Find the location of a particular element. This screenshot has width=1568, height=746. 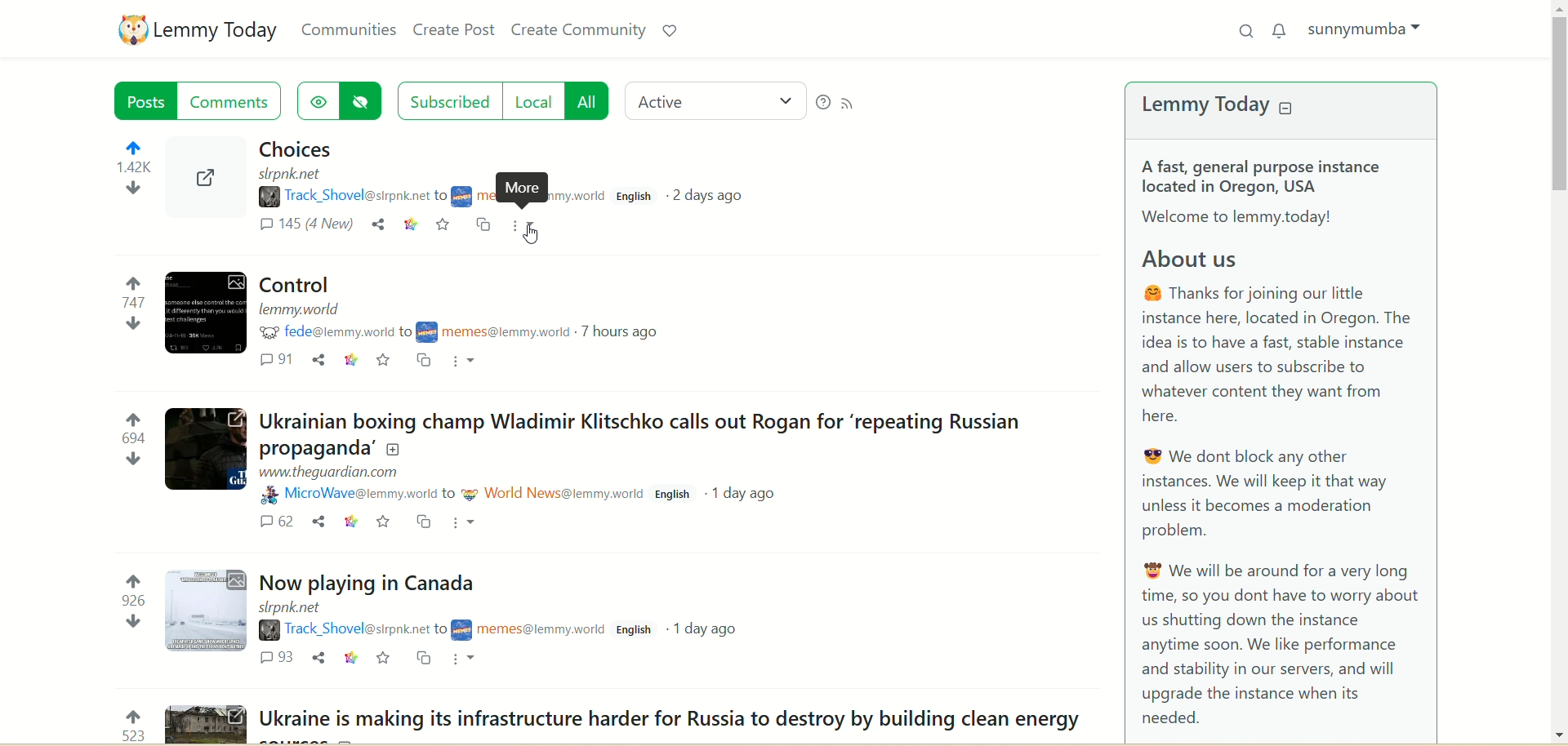

URL is located at coordinates (296, 176).